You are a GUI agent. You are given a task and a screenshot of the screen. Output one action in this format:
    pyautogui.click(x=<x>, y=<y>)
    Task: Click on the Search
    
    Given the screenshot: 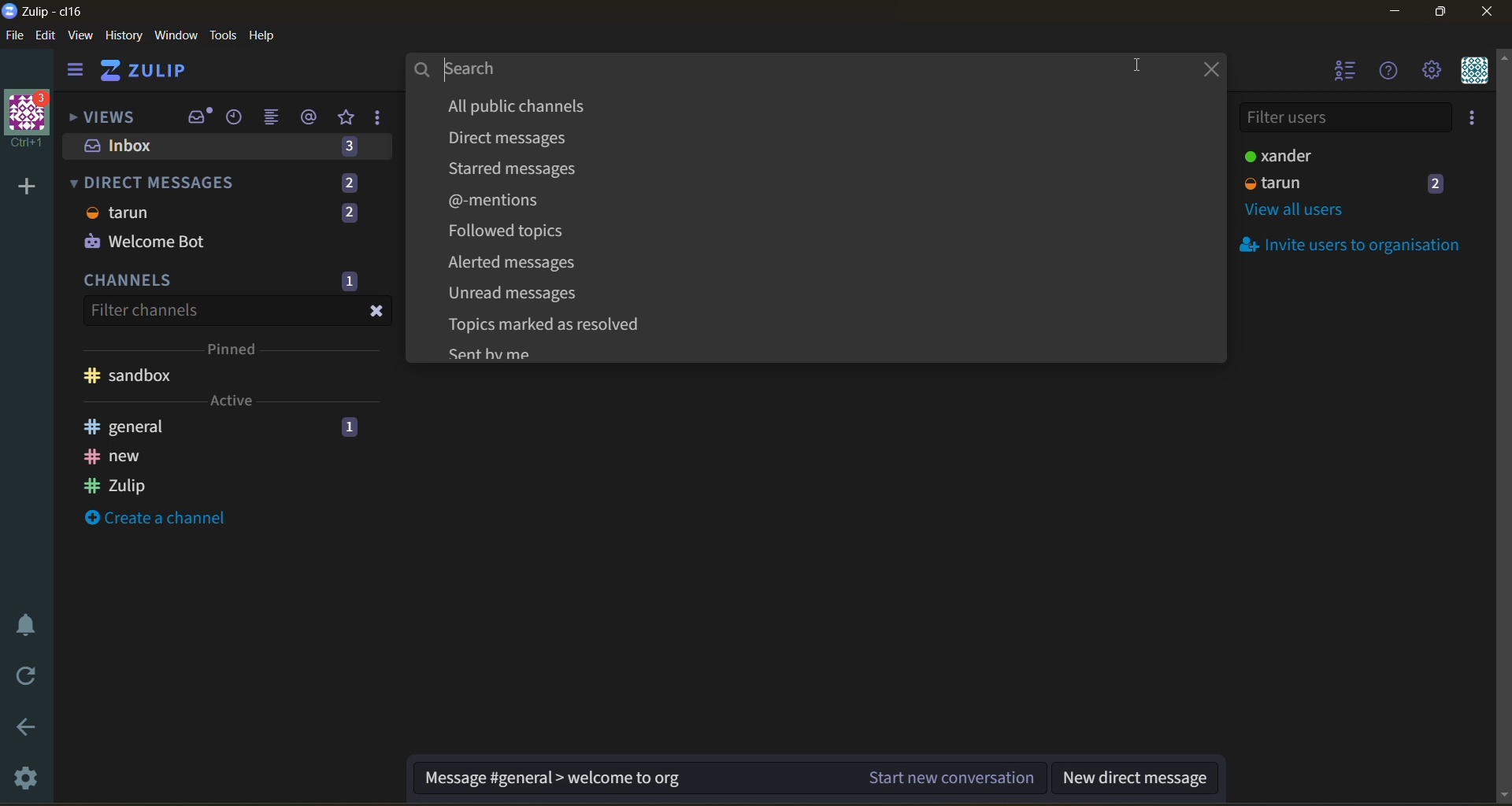 What is the action you would take?
    pyautogui.click(x=454, y=70)
    